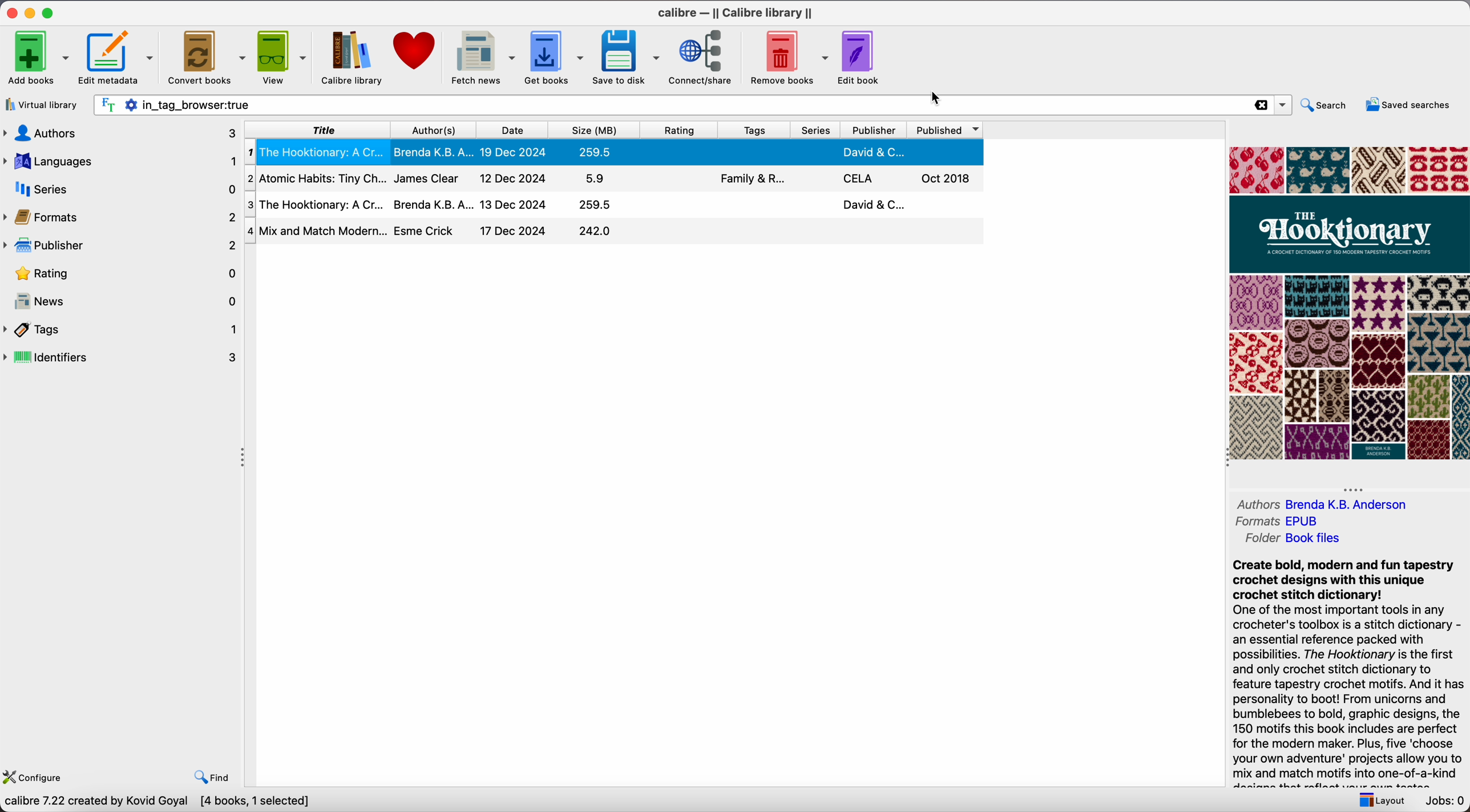 This screenshot has height=812, width=1470. Describe the element at coordinates (433, 152) in the screenshot. I see `Brenda K.B.A...` at that location.